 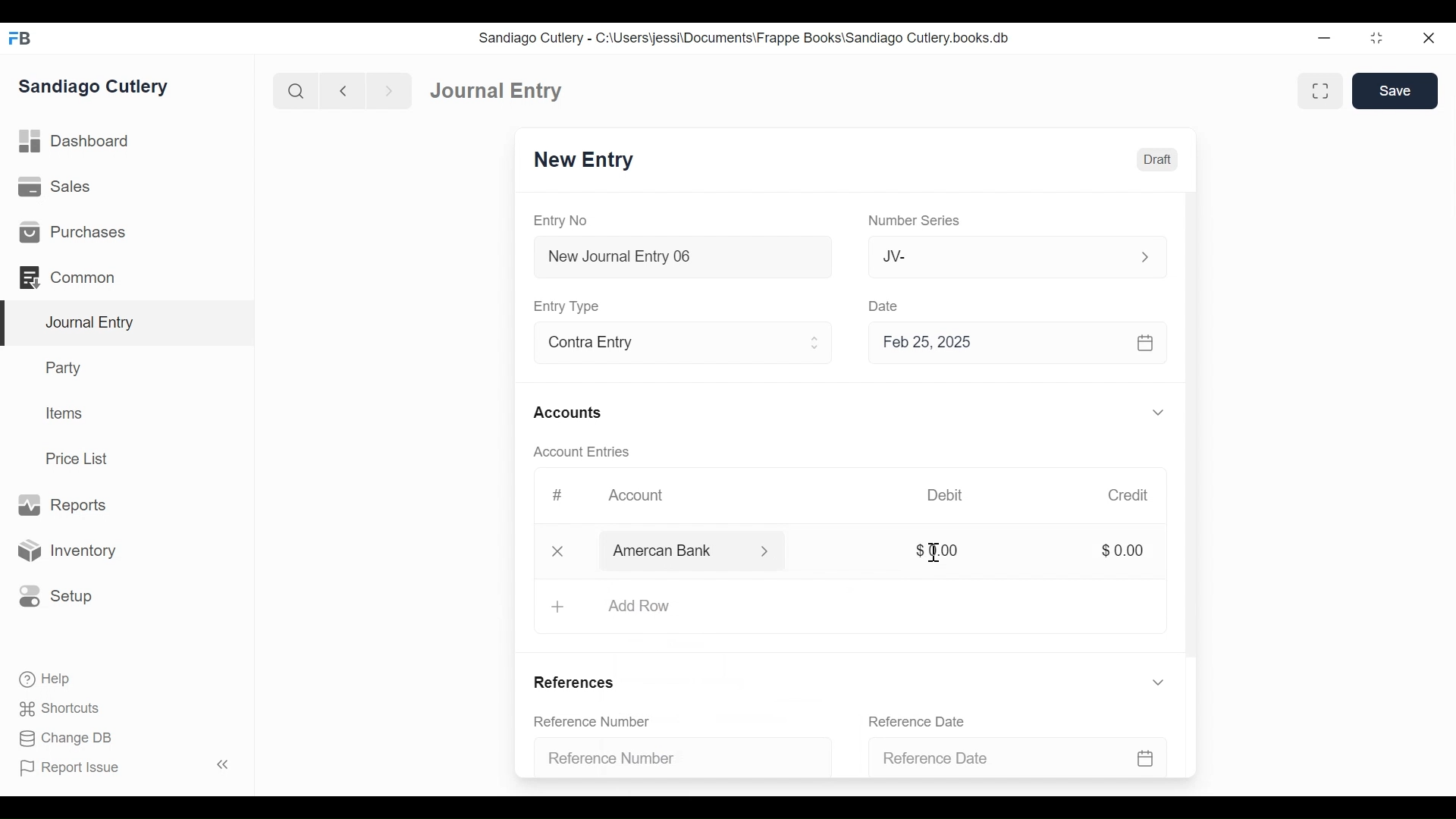 What do you see at coordinates (128, 324) in the screenshot?
I see `Journal Entry` at bounding box center [128, 324].